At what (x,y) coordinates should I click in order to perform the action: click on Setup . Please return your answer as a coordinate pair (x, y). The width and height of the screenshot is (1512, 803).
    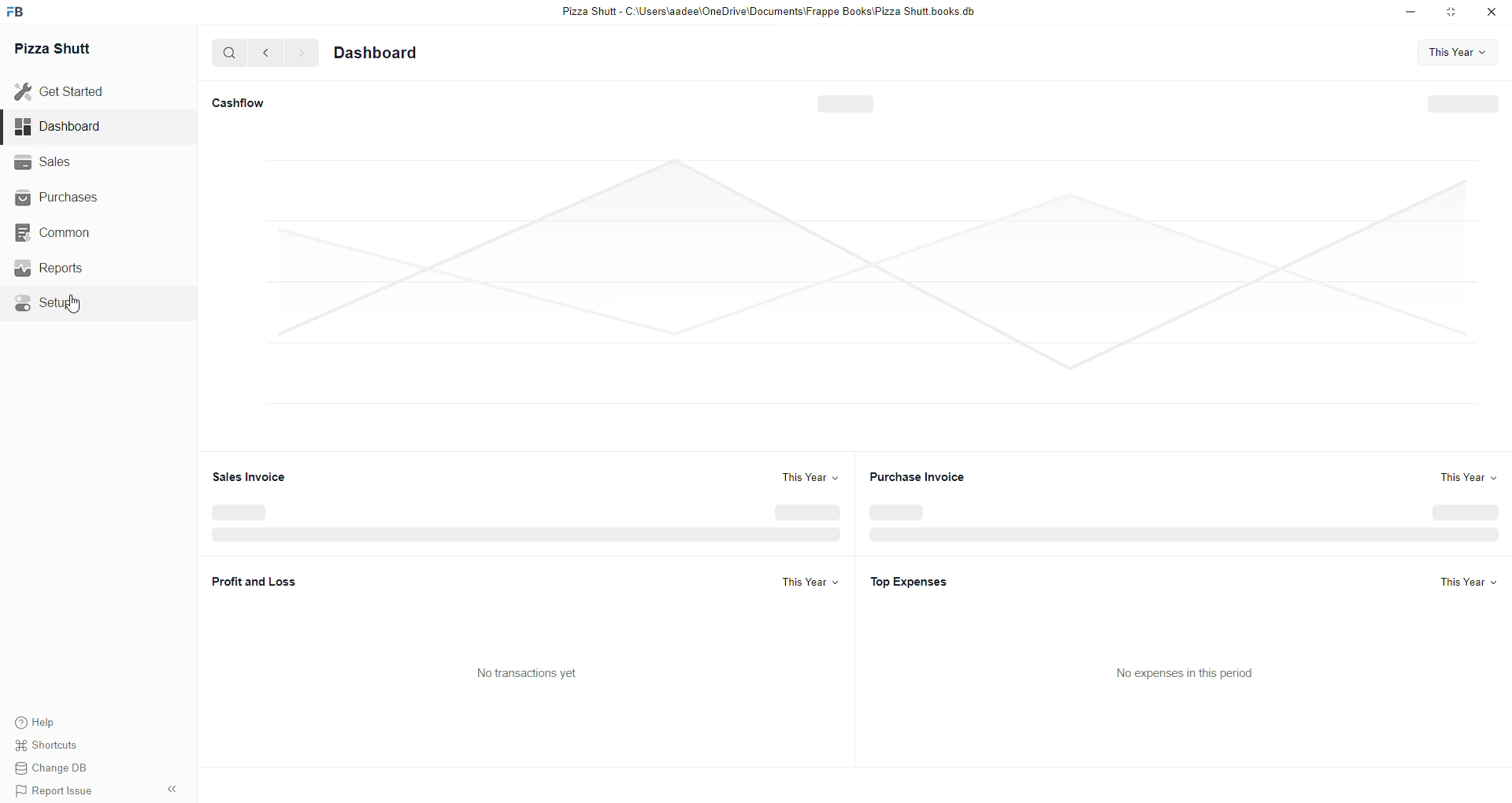
    Looking at the image, I should click on (63, 305).